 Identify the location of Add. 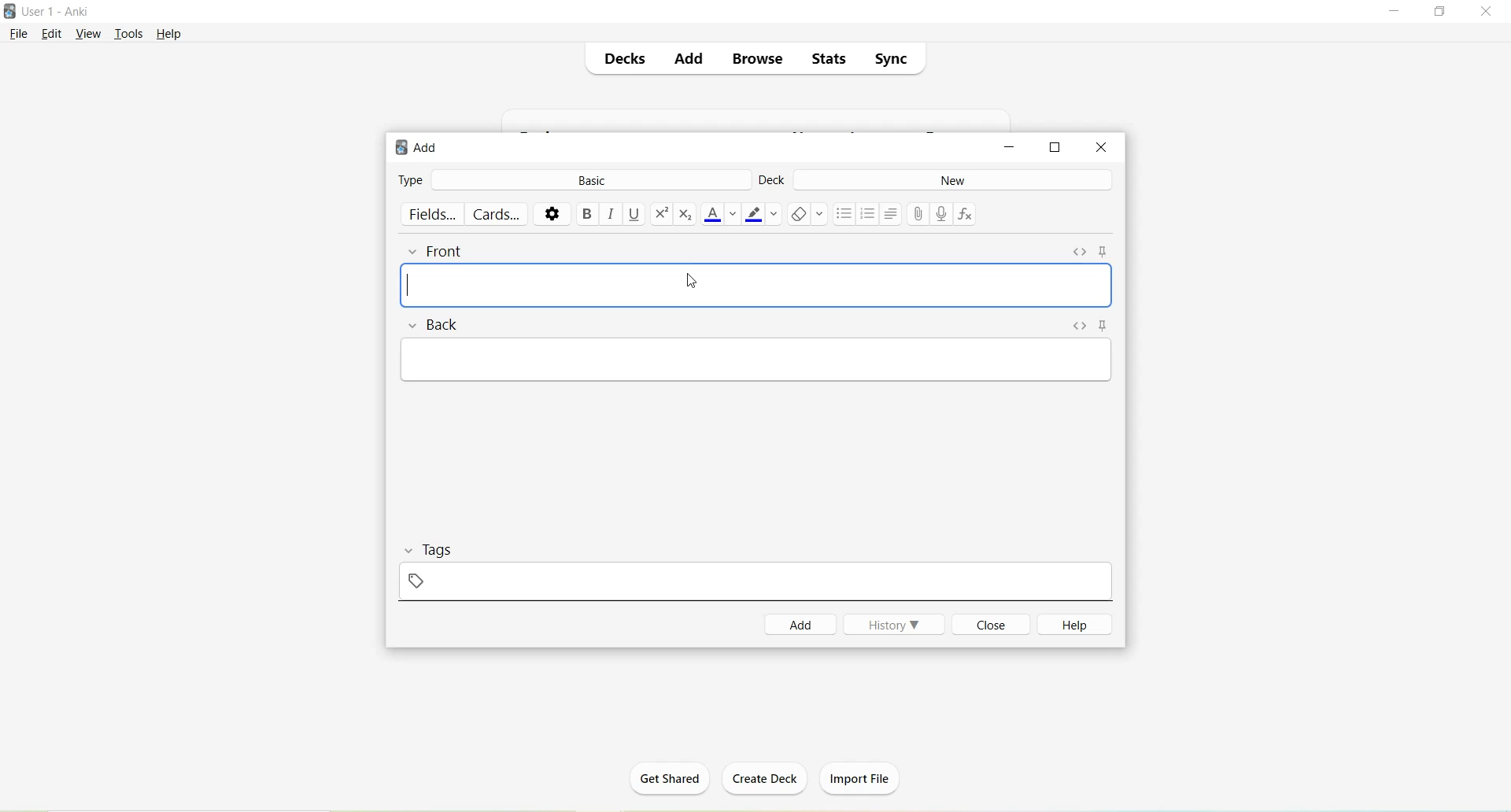
(686, 60).